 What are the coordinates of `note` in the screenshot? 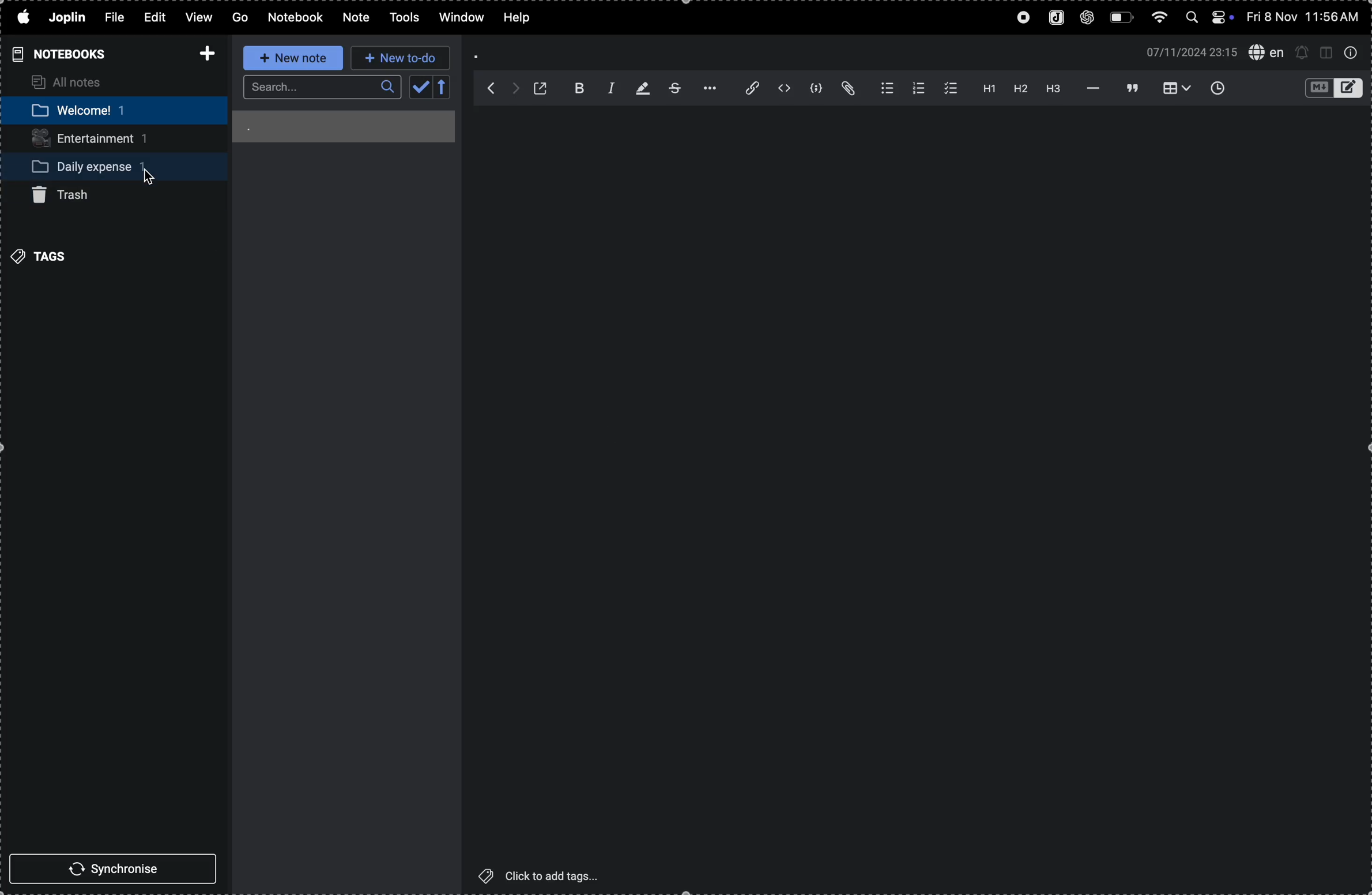 It's located at (353, 18).